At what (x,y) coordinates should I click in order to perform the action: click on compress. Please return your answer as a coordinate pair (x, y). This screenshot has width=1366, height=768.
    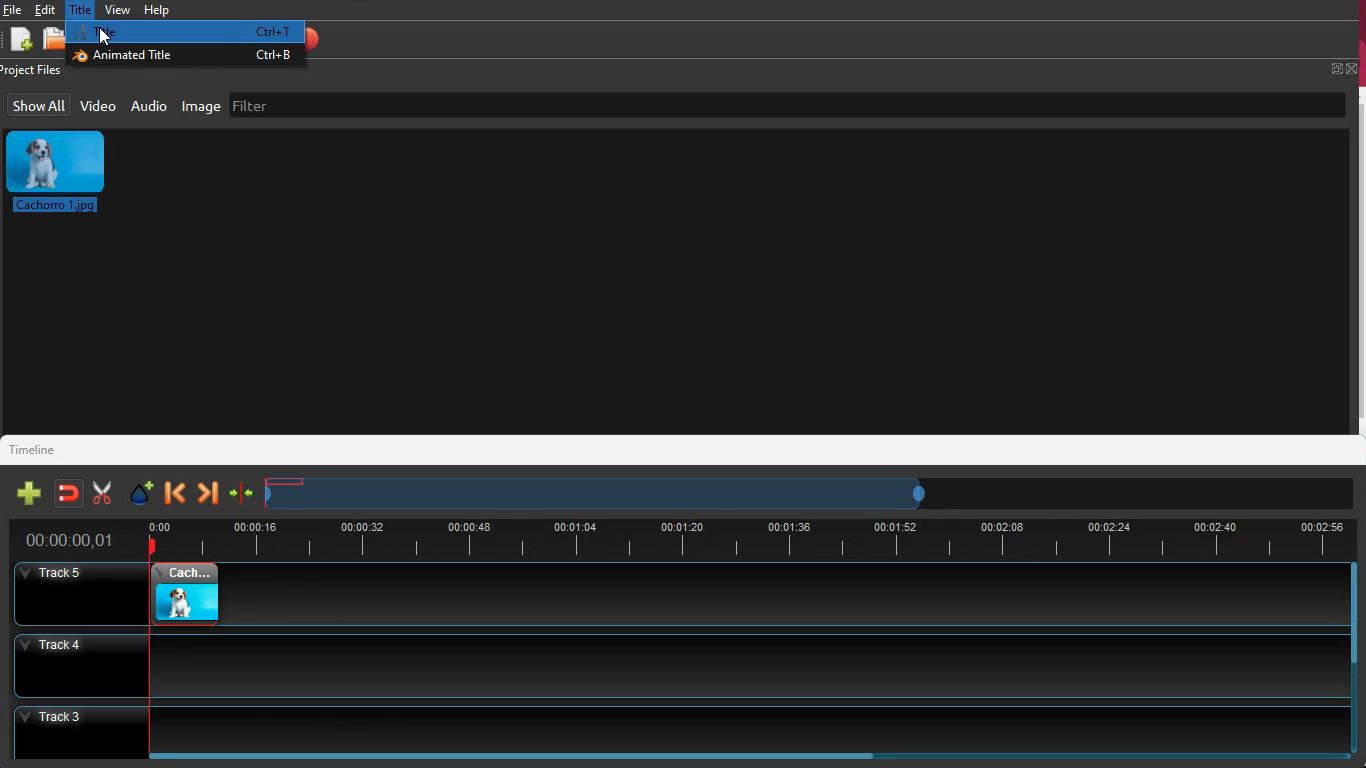
    Looking at the image, I should click on (241, 496).